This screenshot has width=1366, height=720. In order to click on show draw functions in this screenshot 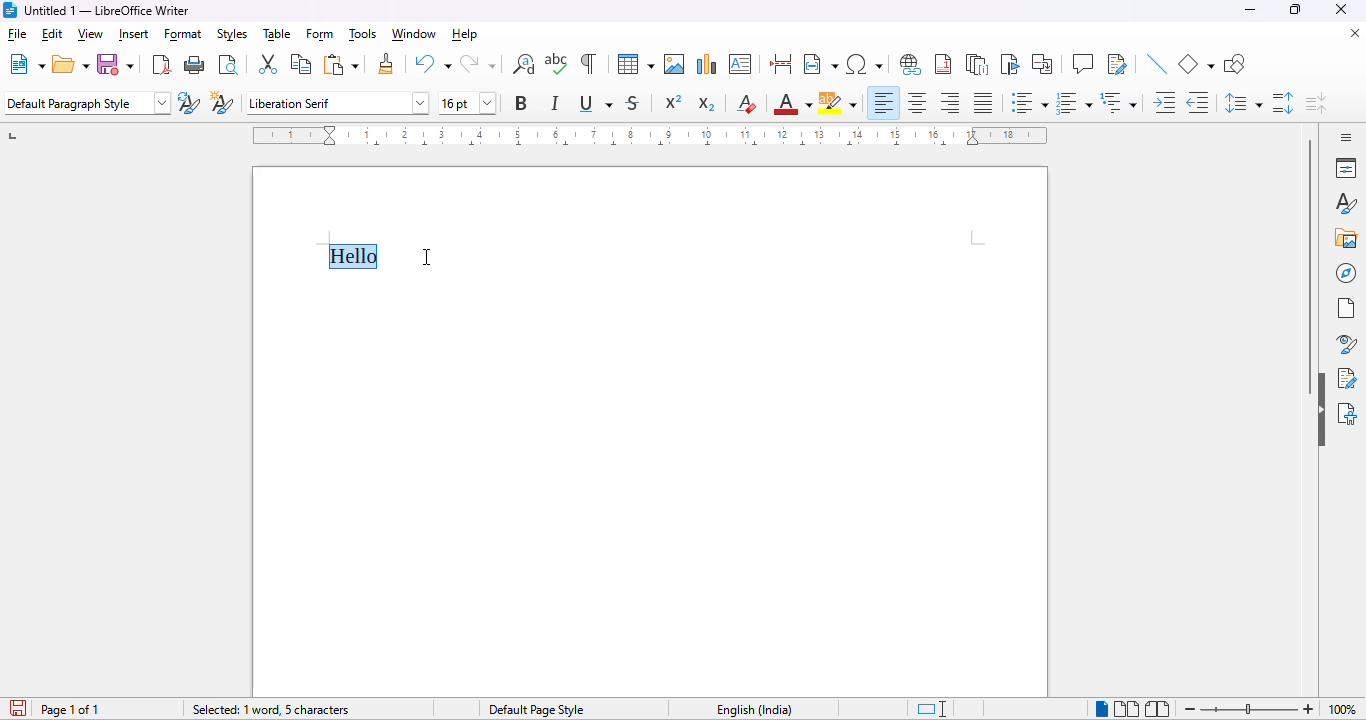, I will do `click(1234, 65)`.